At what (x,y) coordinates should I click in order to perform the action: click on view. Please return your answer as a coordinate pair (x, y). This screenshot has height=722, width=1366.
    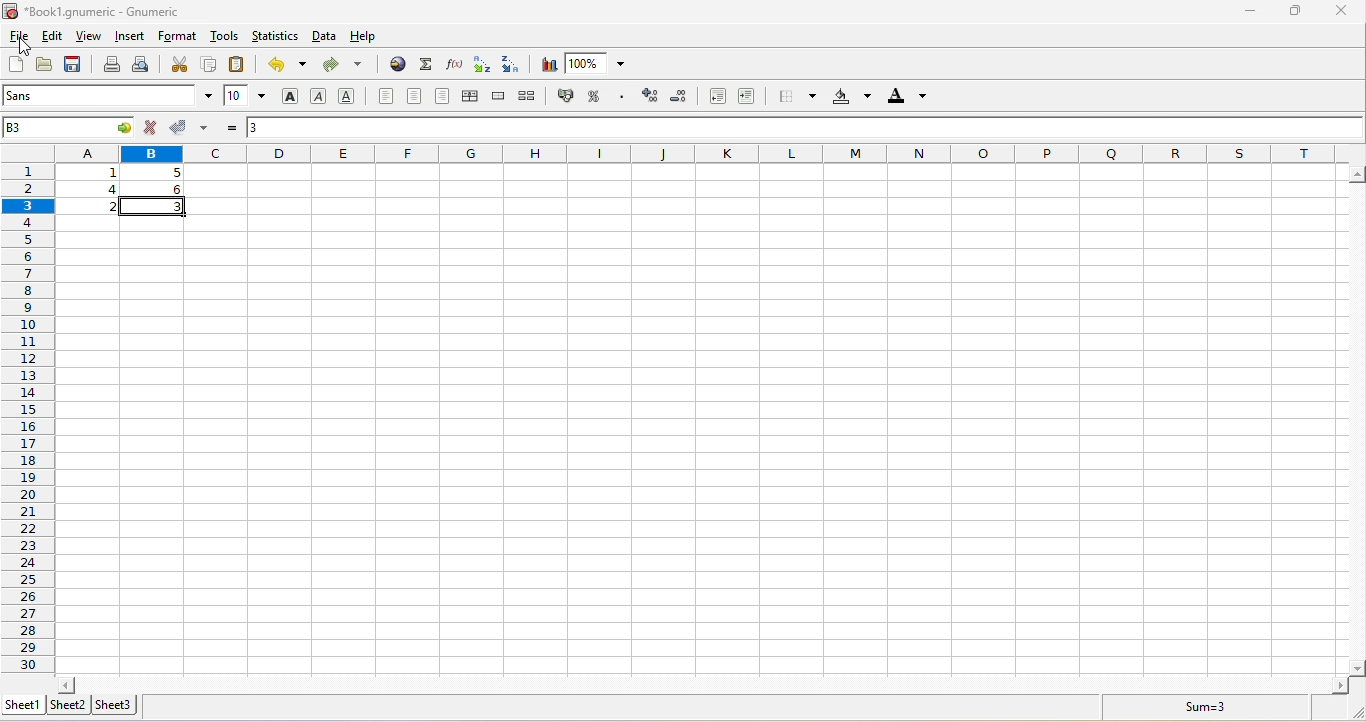
    Looking at the image, I should click on (88, 37).